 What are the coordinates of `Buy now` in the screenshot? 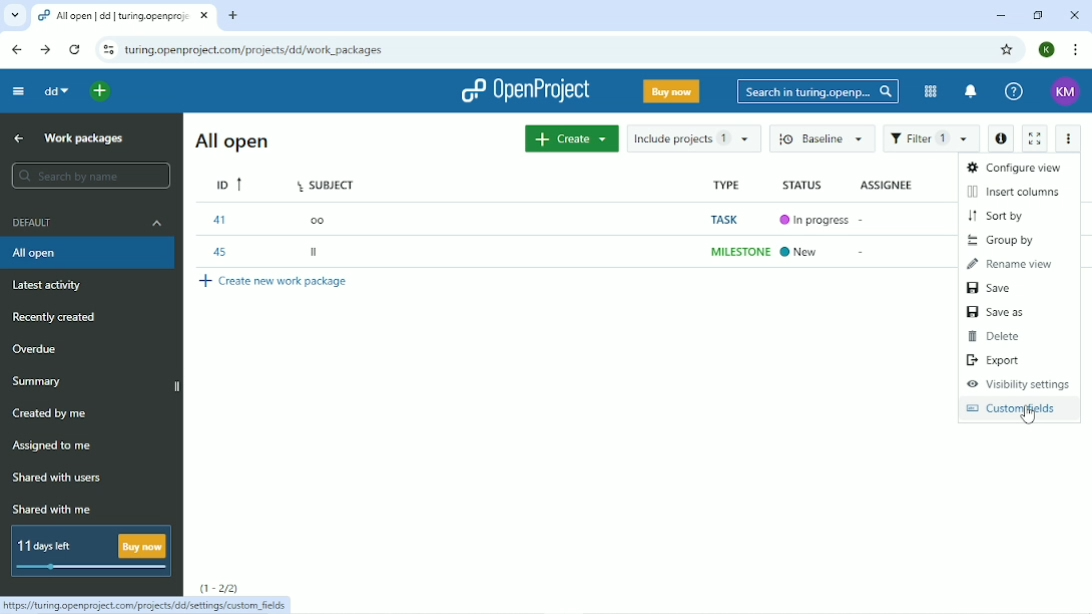 It's located at (670, 90).